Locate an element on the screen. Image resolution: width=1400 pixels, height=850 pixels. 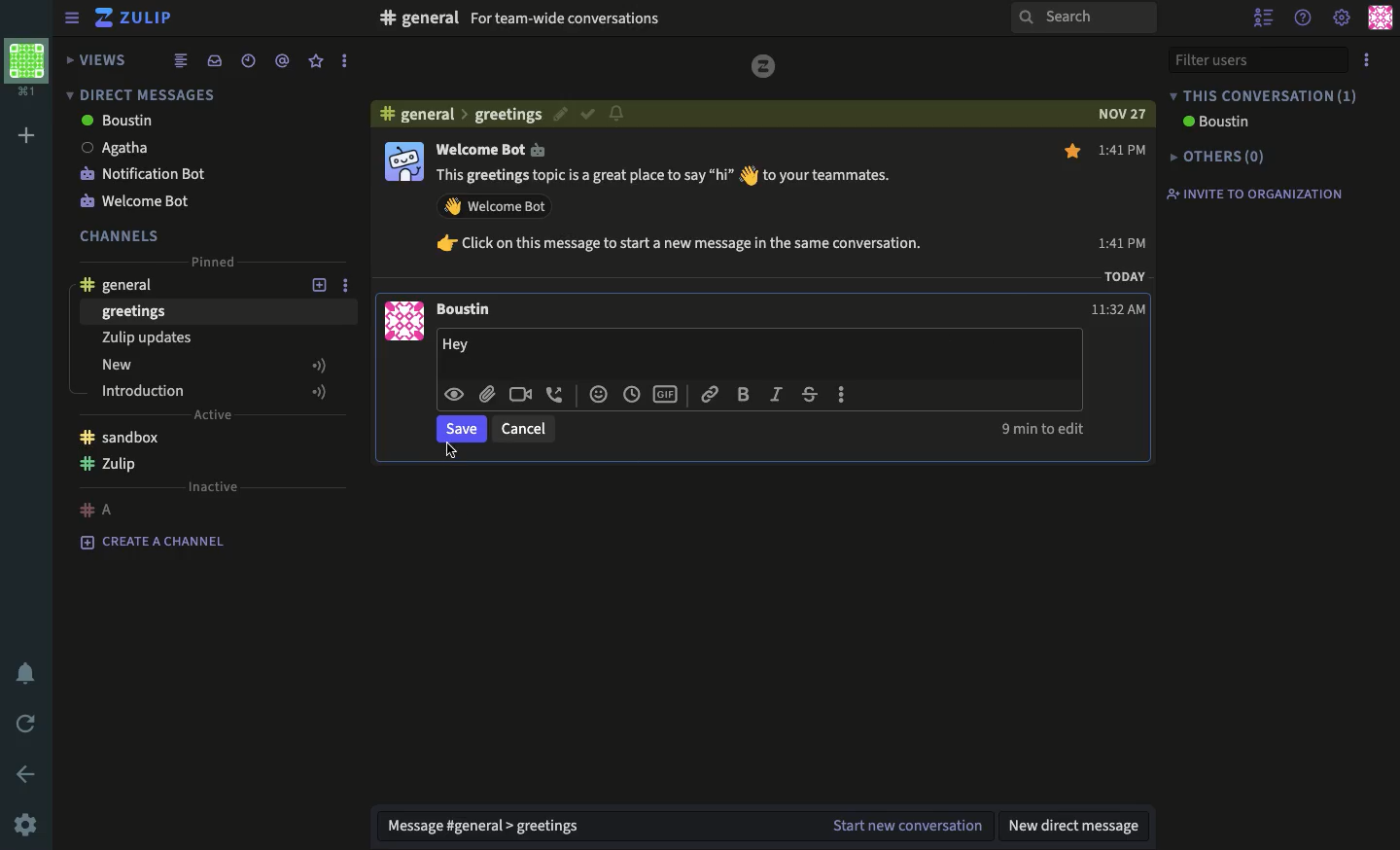
notification  is located at coordinates (618, 115).